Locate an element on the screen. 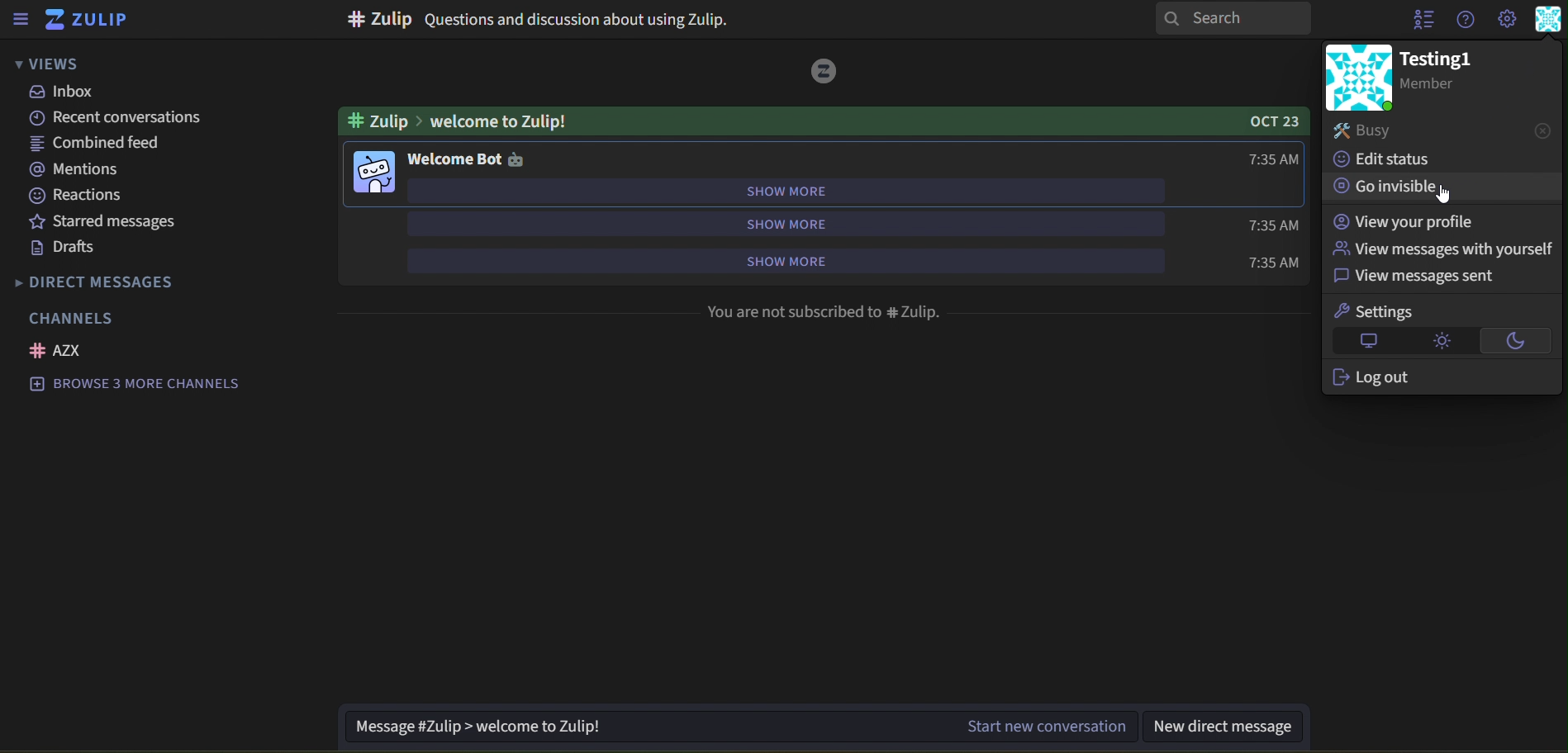 The width and height of the screenshot is (1568, 753). time is located at coordinates (1270, 224).